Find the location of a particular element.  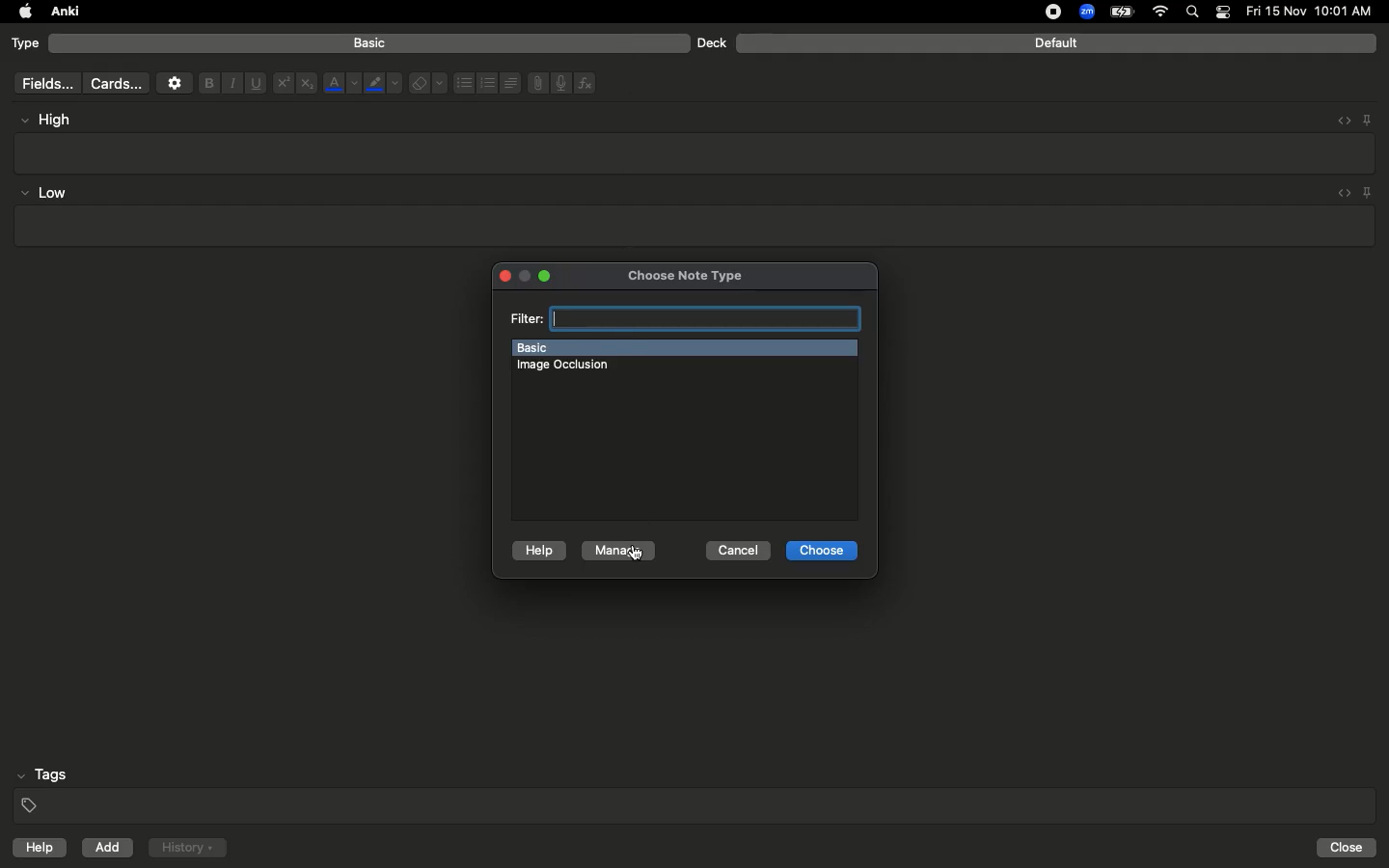

Deck is located at coordinates (711, 42).